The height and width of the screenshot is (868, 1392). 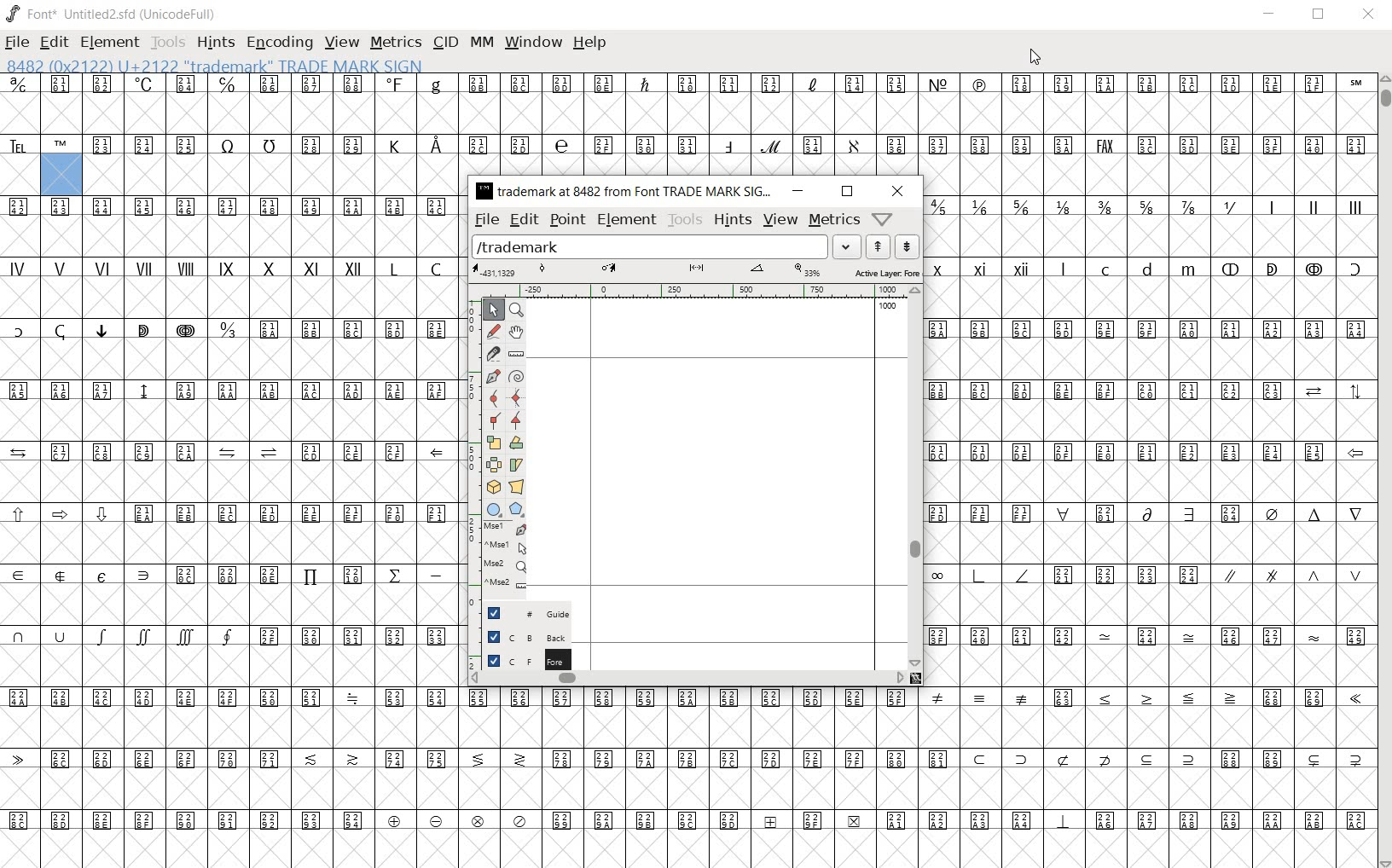 I want to click on CURSOR, so click(x=1035, y=55).